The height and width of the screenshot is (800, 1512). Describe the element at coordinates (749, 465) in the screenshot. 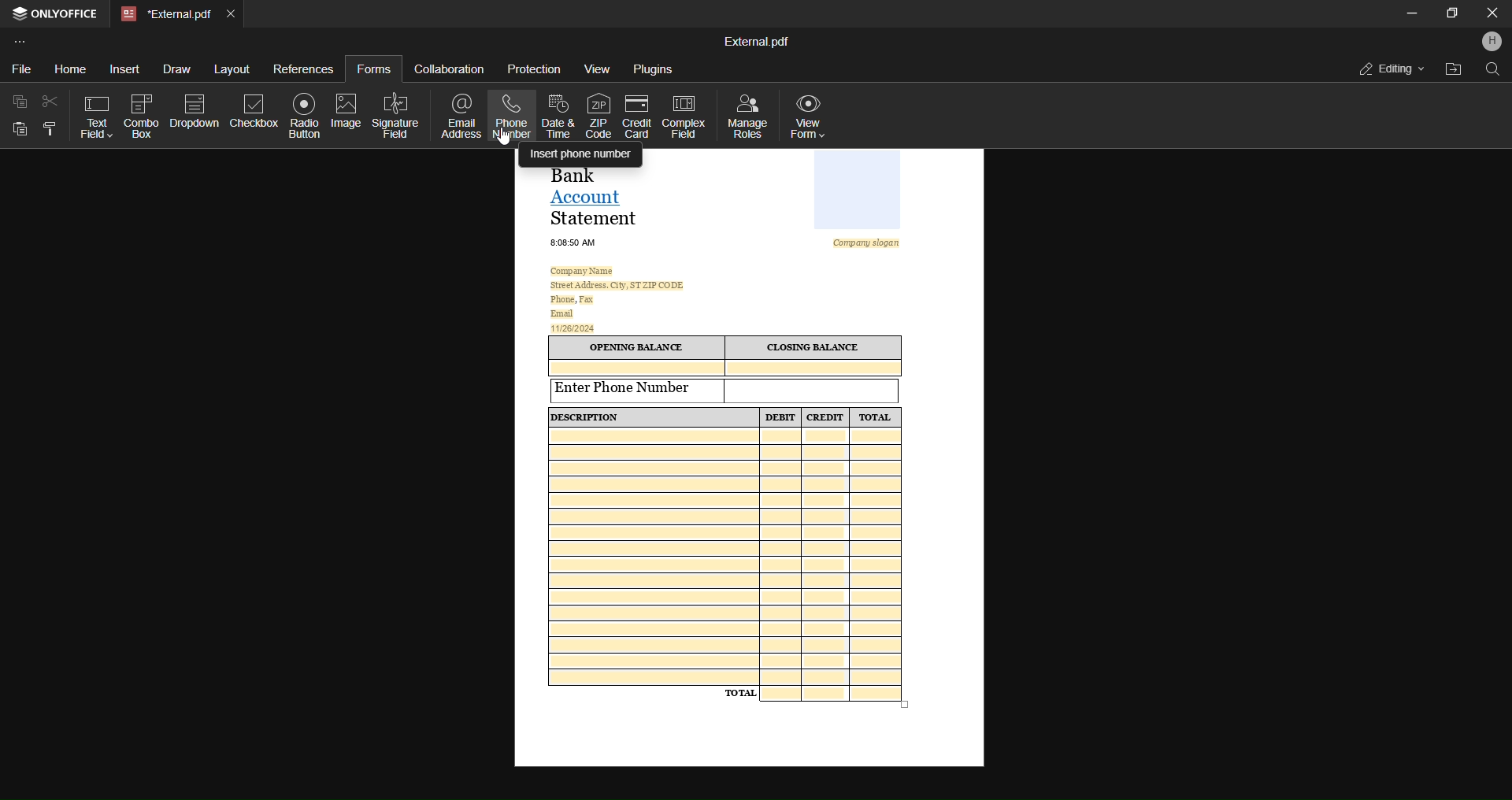

I see `Sample template form of a Bank Account Statement` at that location.